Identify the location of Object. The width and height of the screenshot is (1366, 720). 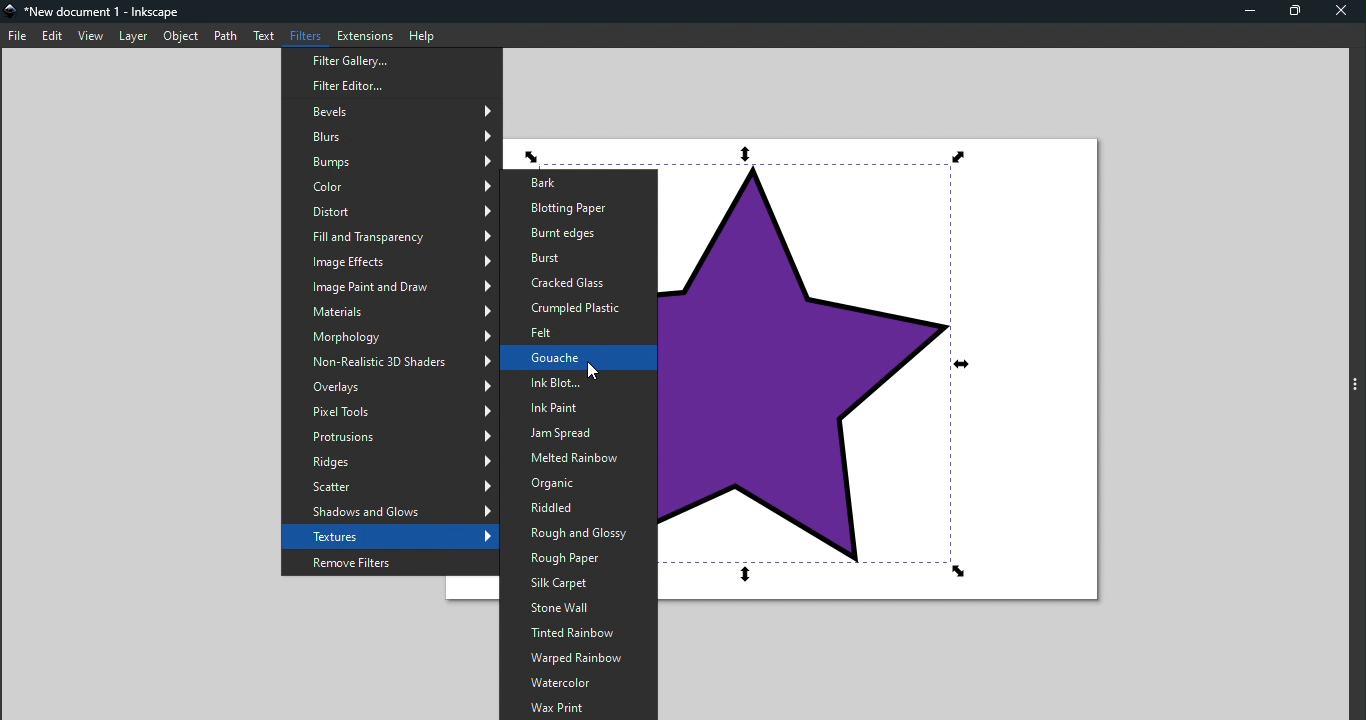
(183, 36).